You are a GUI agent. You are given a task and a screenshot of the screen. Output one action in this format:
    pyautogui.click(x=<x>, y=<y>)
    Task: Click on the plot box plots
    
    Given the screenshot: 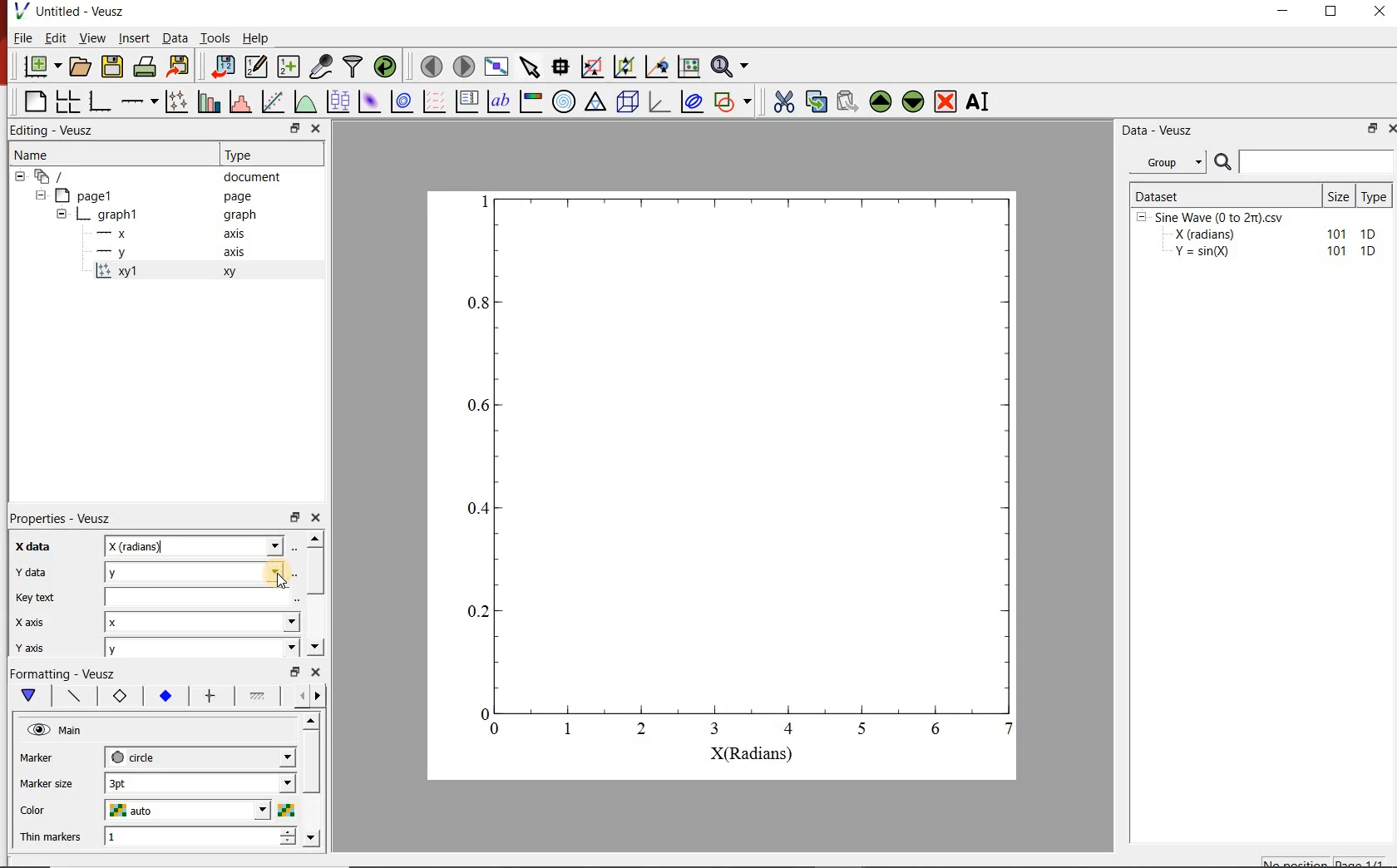 What is the action you would take?
    pyautogui.click(x=339, y=102)
    